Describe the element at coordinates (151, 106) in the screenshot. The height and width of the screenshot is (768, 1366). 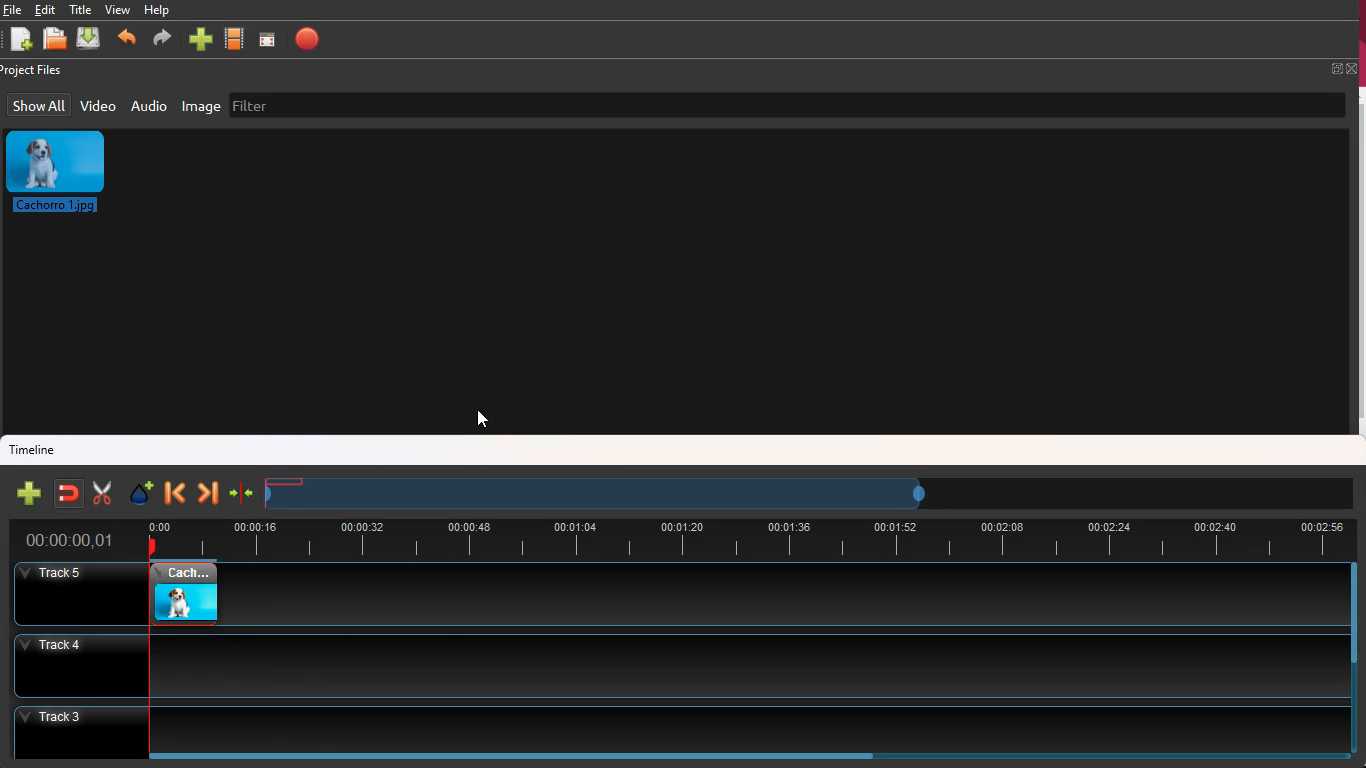
I see `audio` at that location.